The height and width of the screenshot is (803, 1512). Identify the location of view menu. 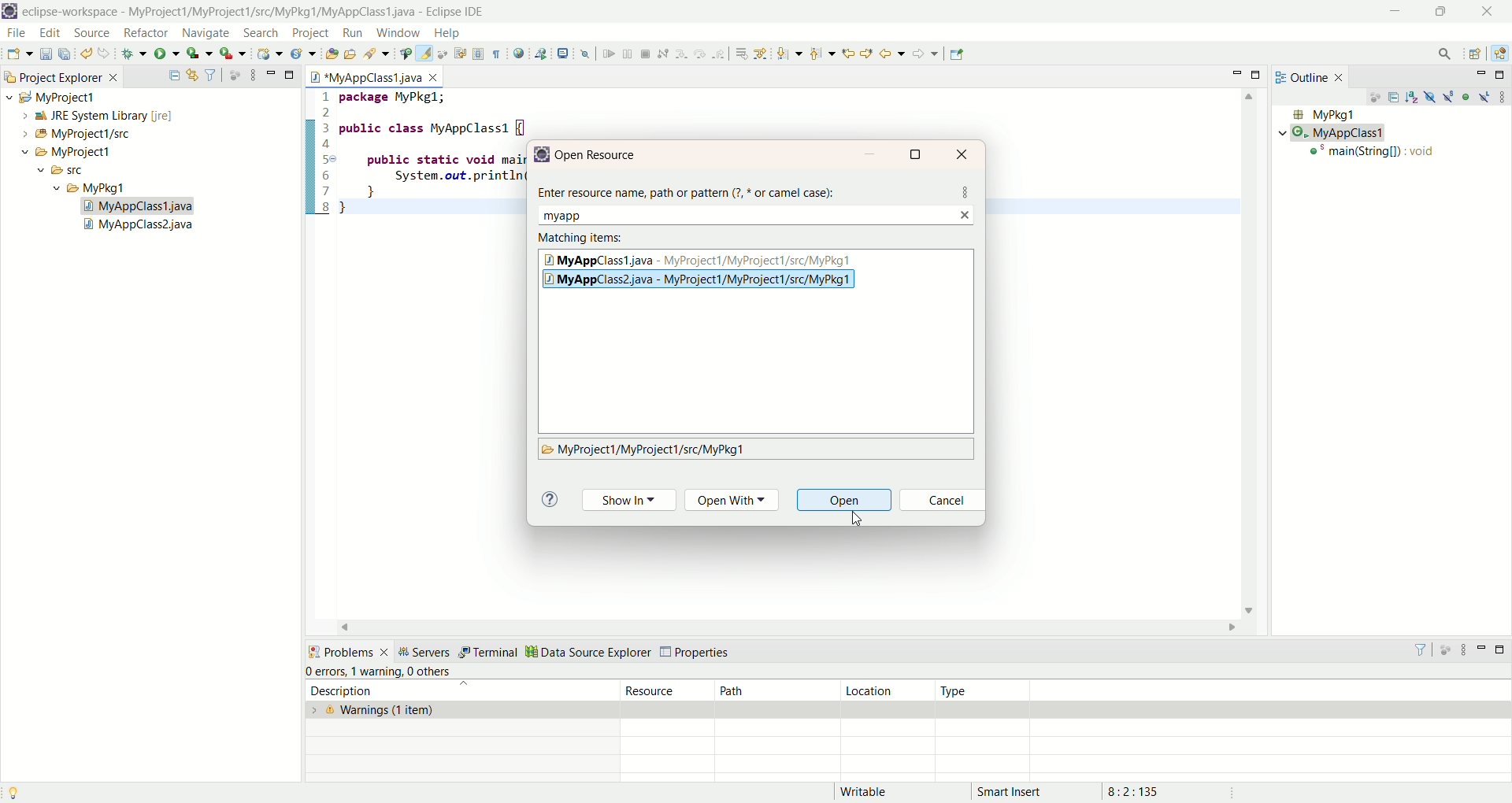
(1463, 650).